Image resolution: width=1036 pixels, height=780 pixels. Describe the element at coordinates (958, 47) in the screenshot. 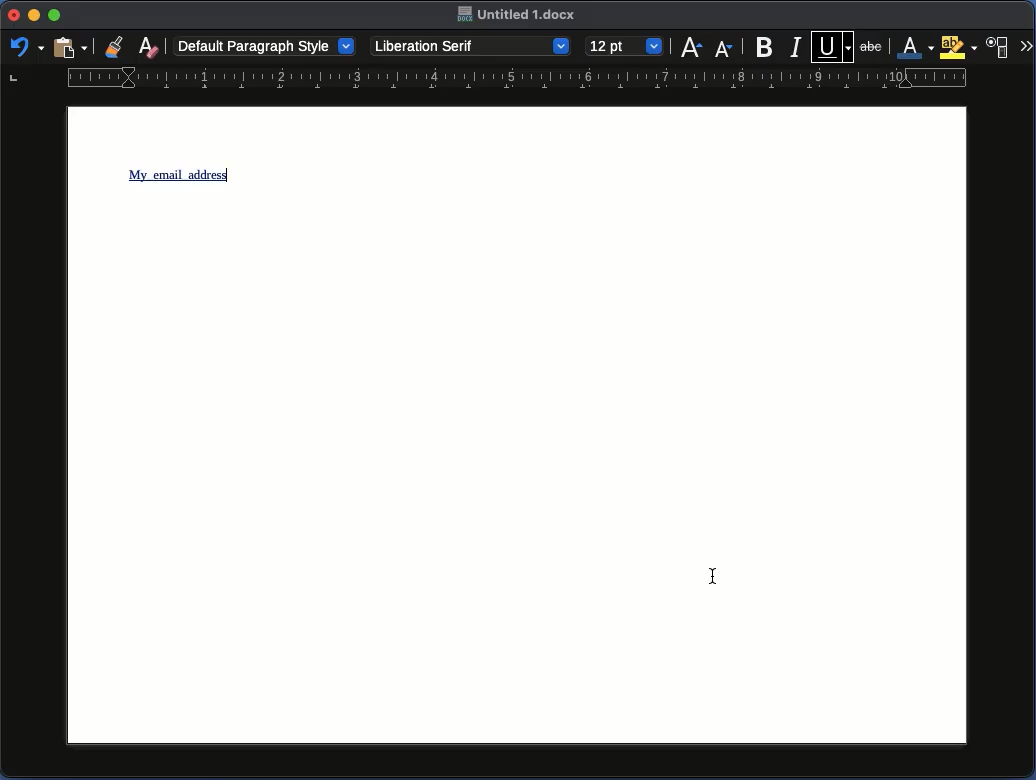

I see `Highlighting` at that location.